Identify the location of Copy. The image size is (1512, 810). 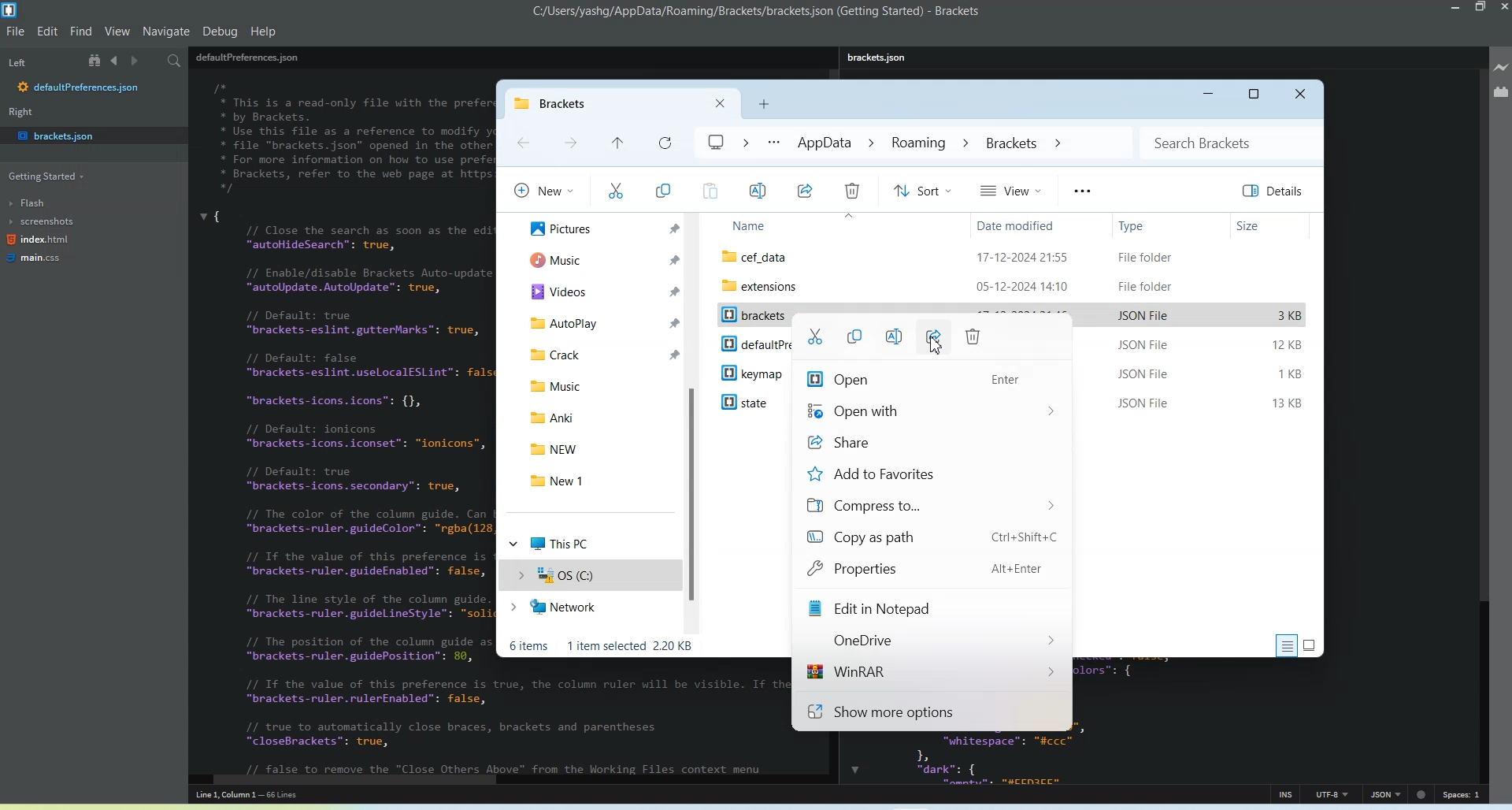
(663, 191).